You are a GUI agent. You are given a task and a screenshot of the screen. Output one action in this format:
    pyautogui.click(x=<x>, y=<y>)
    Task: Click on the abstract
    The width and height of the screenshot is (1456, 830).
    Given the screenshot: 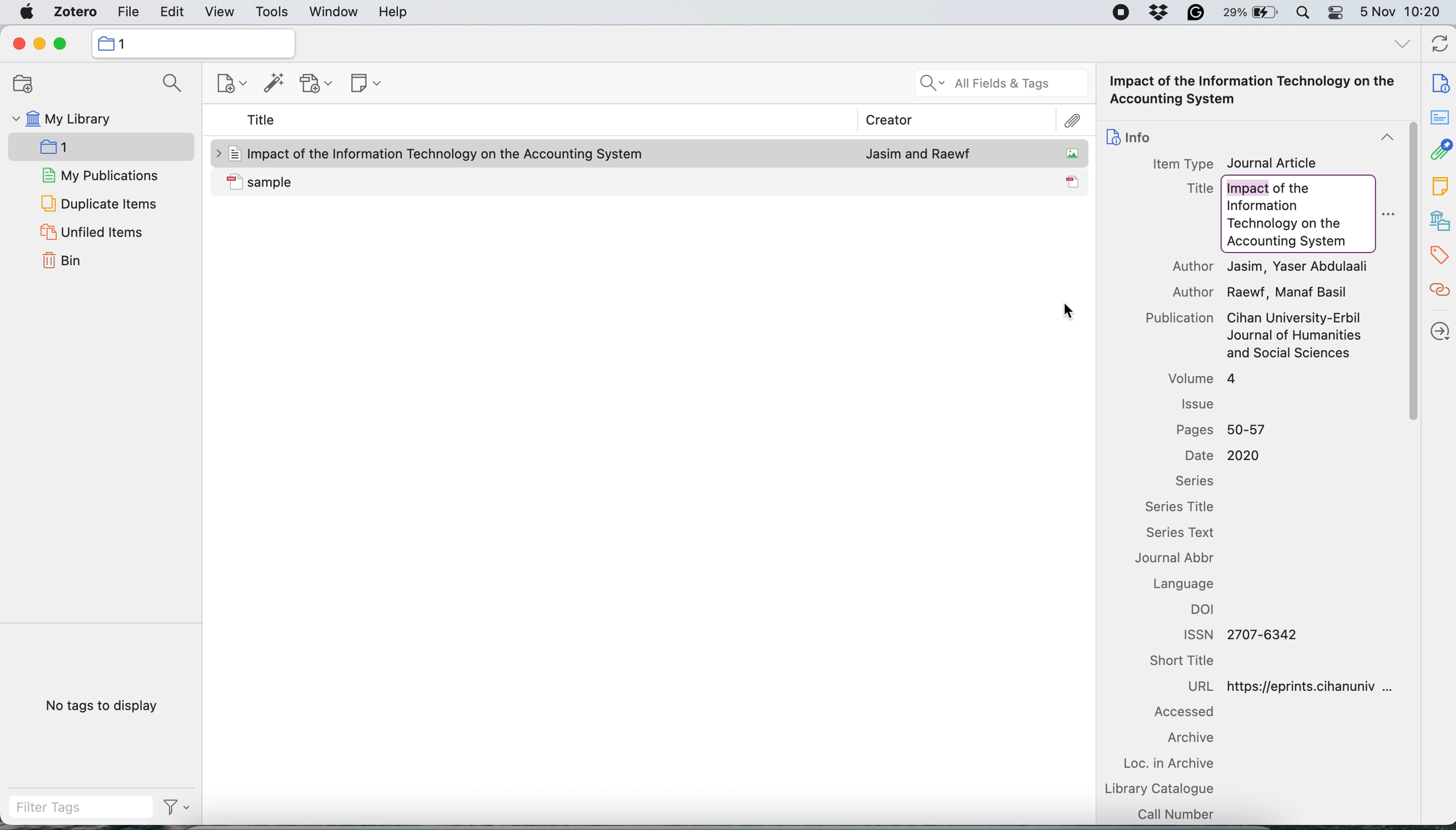 What is the action you would take?
    pyautogui.click(x=1439, y=118)
    